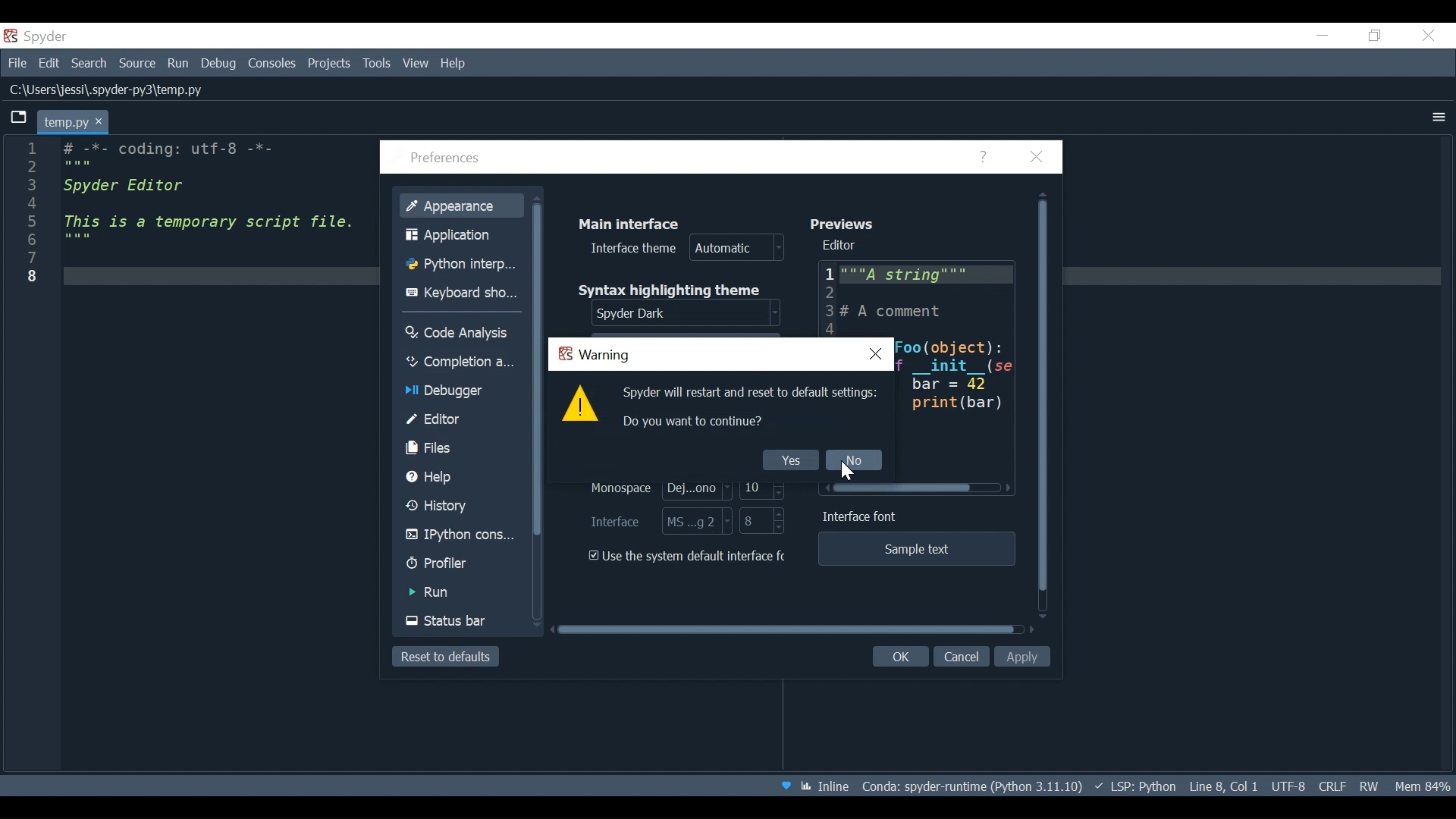 This screenshot has height=819, width=1456. Describe the element at coordinates (785, 787) in the screenshot. I see `Help Spyder` at that location.